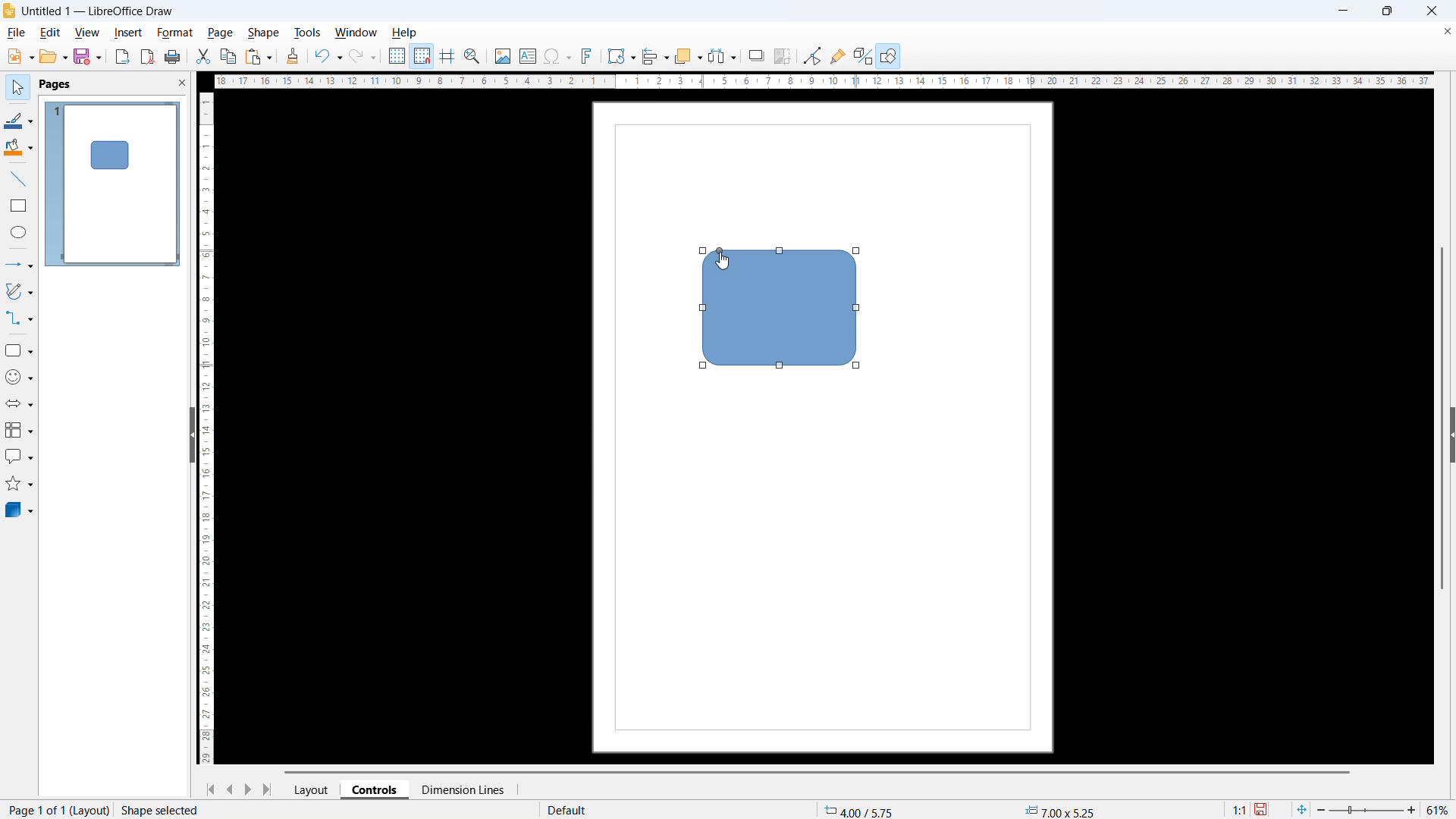 The image size is (1456, 819). Describe the element at coordinates (54, 56) in the screenshot. I see `open ` at that location.